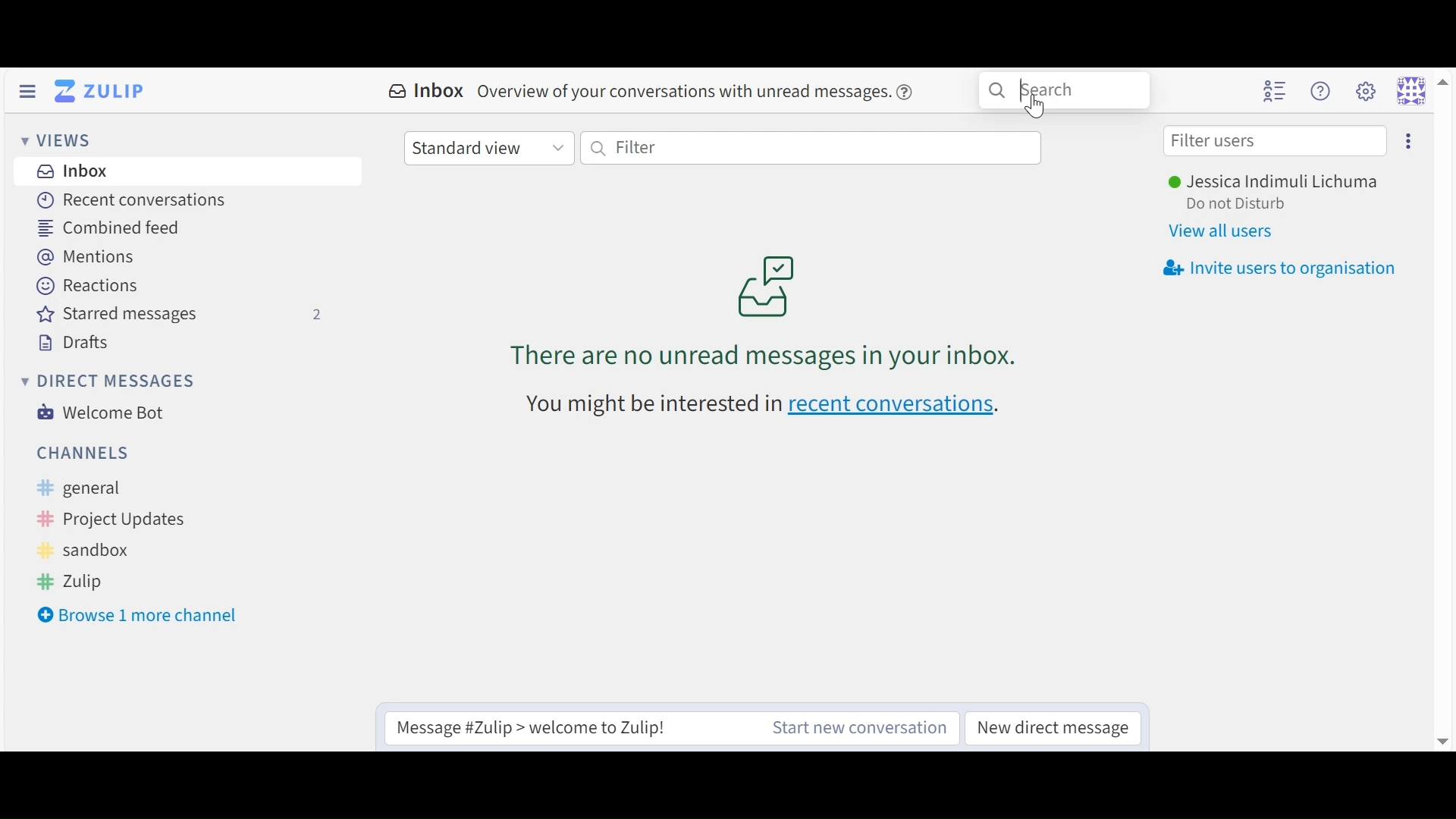  I want to click on Starred messages, so click(187, 316).